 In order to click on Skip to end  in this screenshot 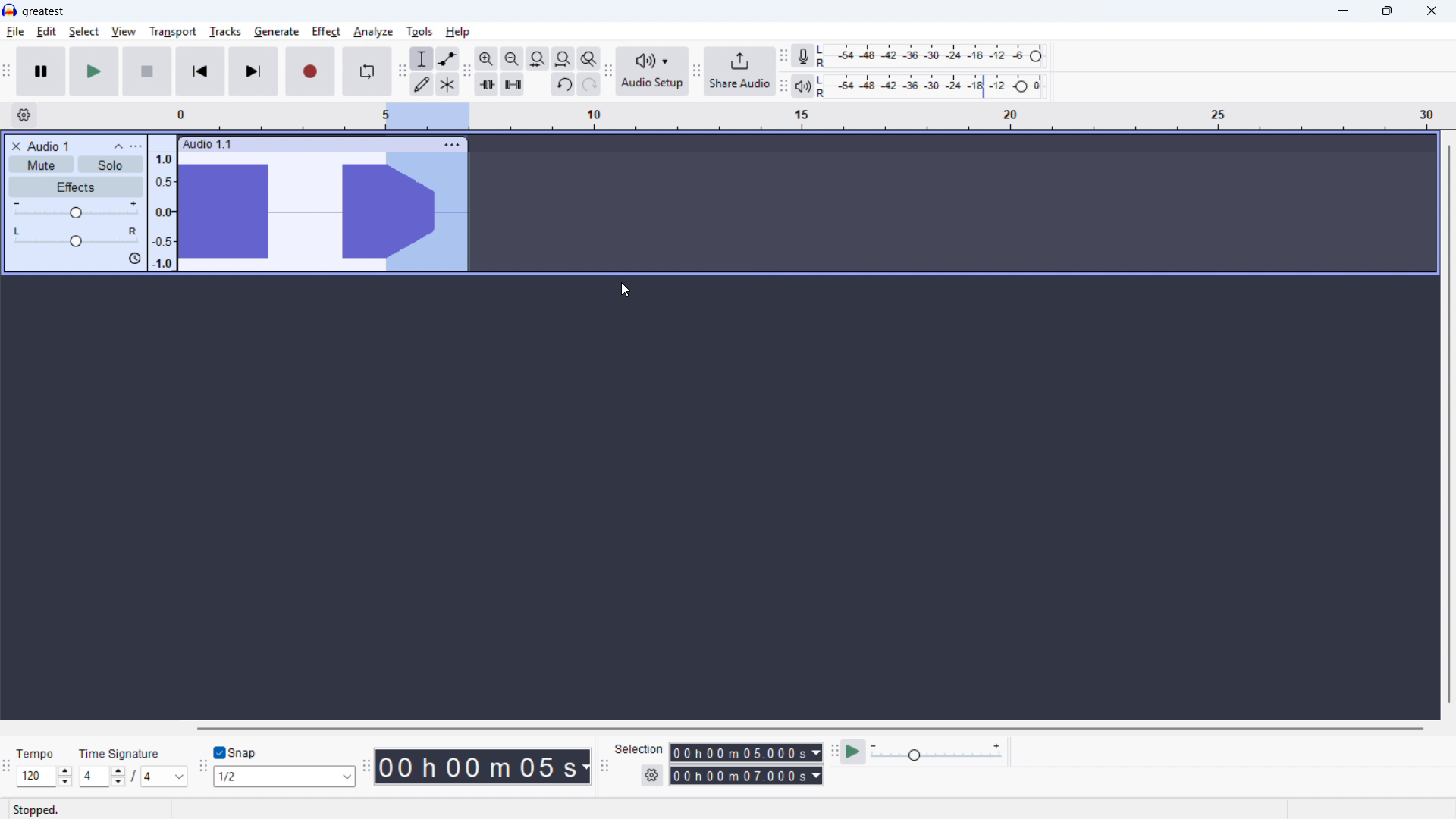, I will do `click(255, 72)`.